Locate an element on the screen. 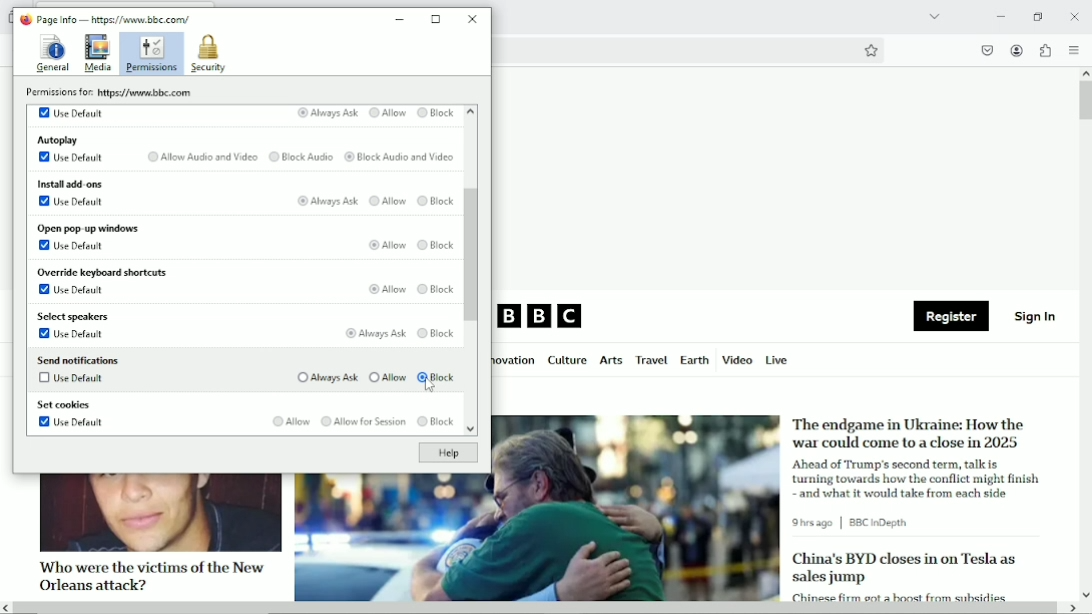  Allow is located at coordinates (384, 244).